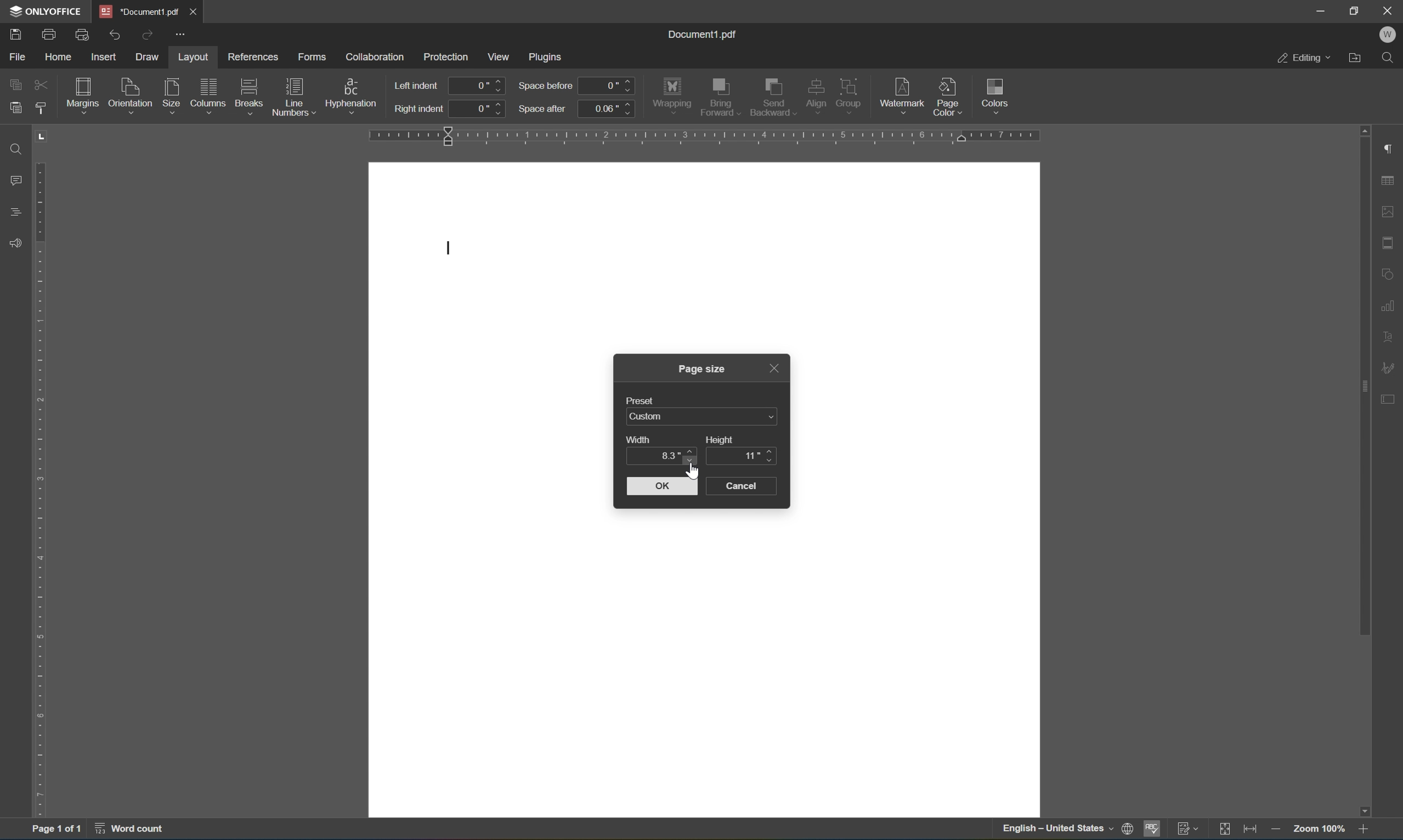 The width and height of the screenshot is (1403, 840). Describe the element at coordinates (13, 181) in the screenshot. I see `comments` at that location.